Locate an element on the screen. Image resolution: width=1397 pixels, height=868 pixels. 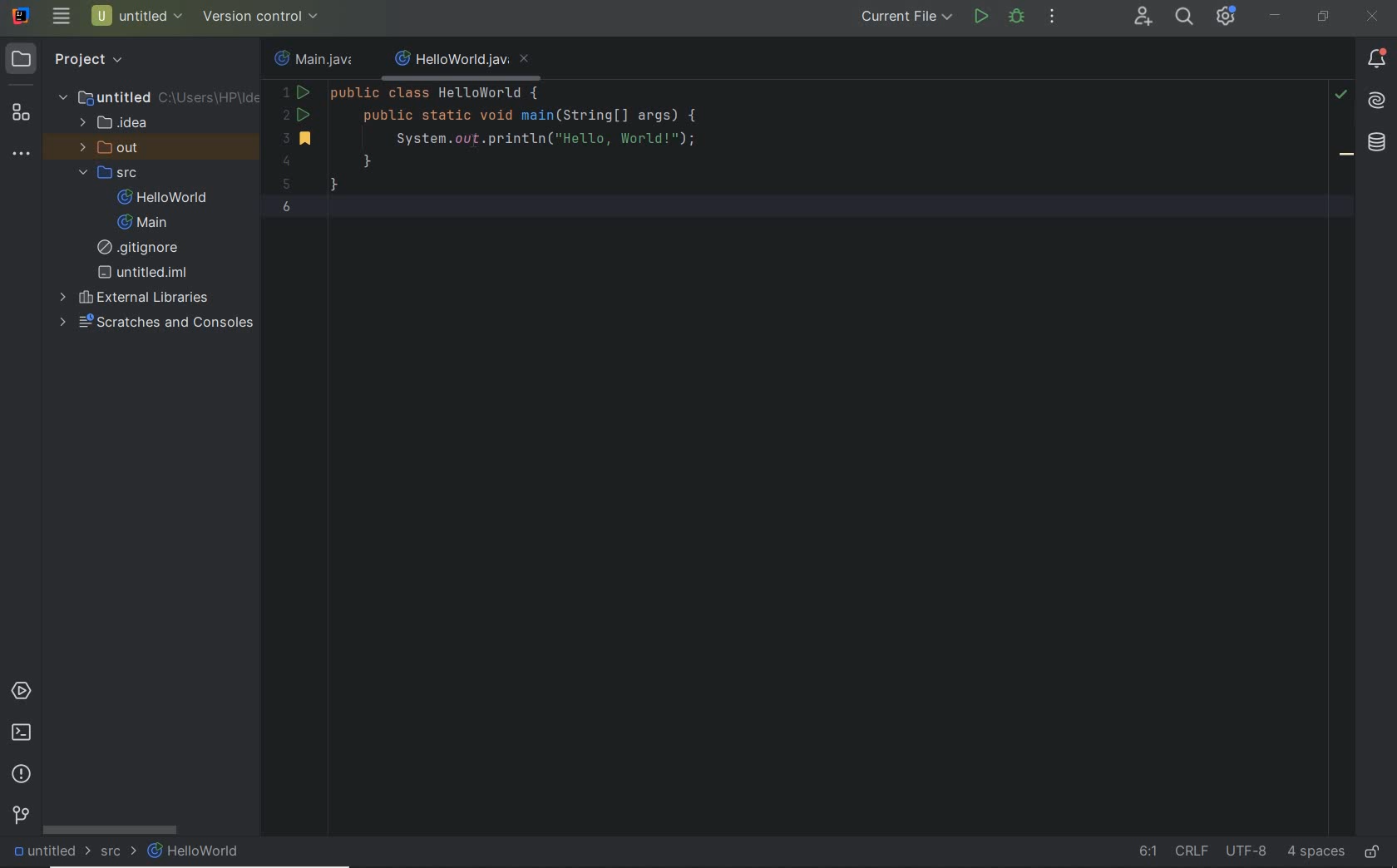
main is located at coordinates (142, 223).